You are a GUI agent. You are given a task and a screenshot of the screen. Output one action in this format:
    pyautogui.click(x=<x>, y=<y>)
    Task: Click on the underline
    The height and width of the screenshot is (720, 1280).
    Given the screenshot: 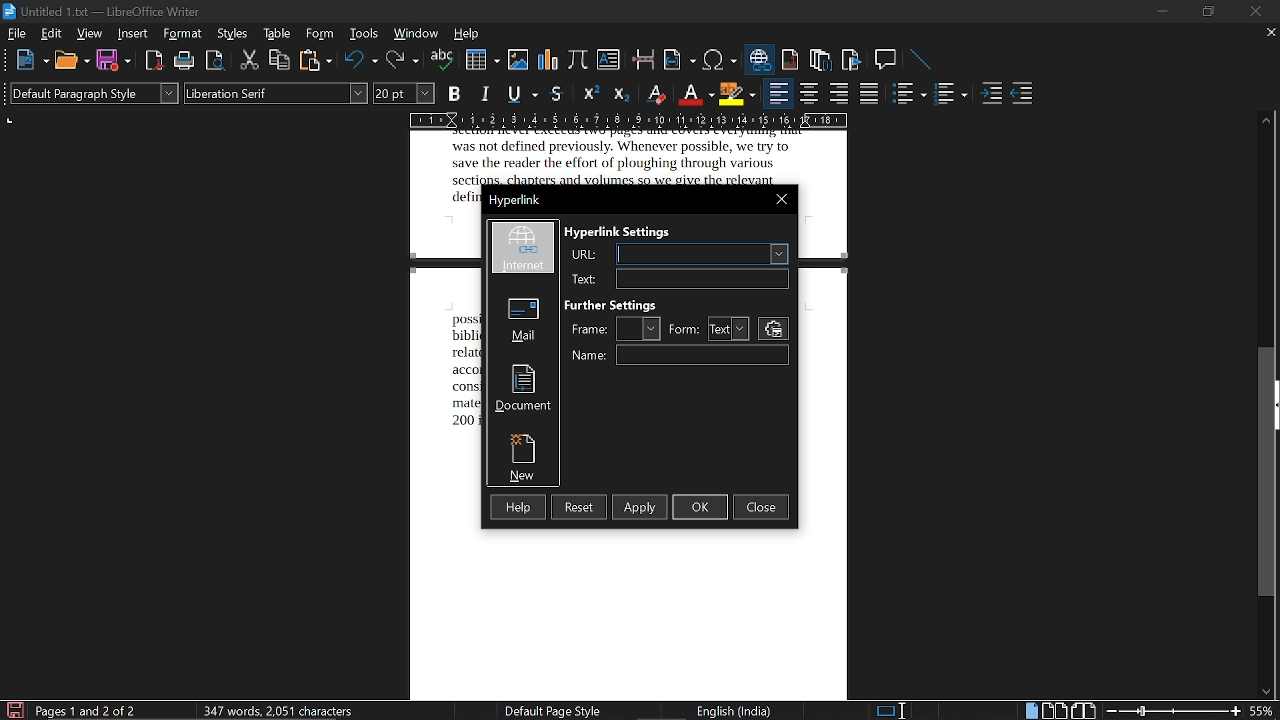 What is the action you would take?
    pyautogui.click(x=522, y=93)
    